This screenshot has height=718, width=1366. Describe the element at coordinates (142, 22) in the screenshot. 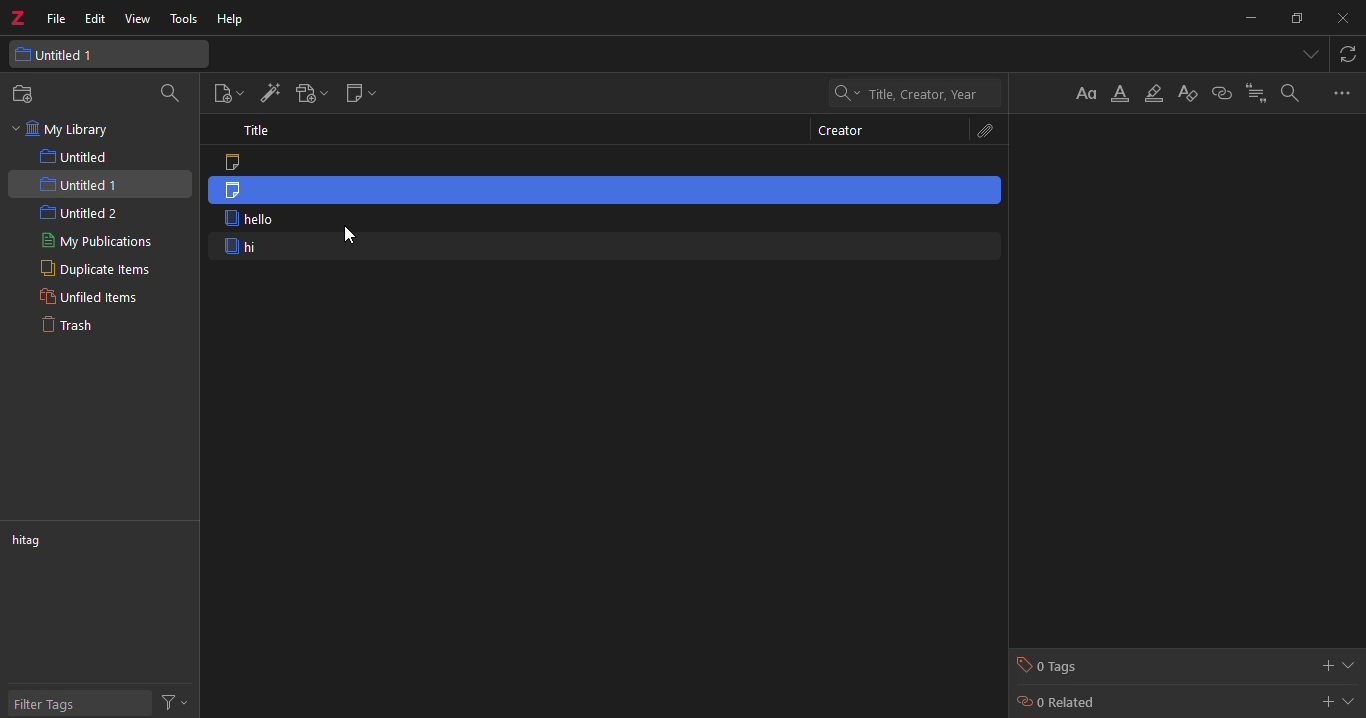

I see `view` at that location.